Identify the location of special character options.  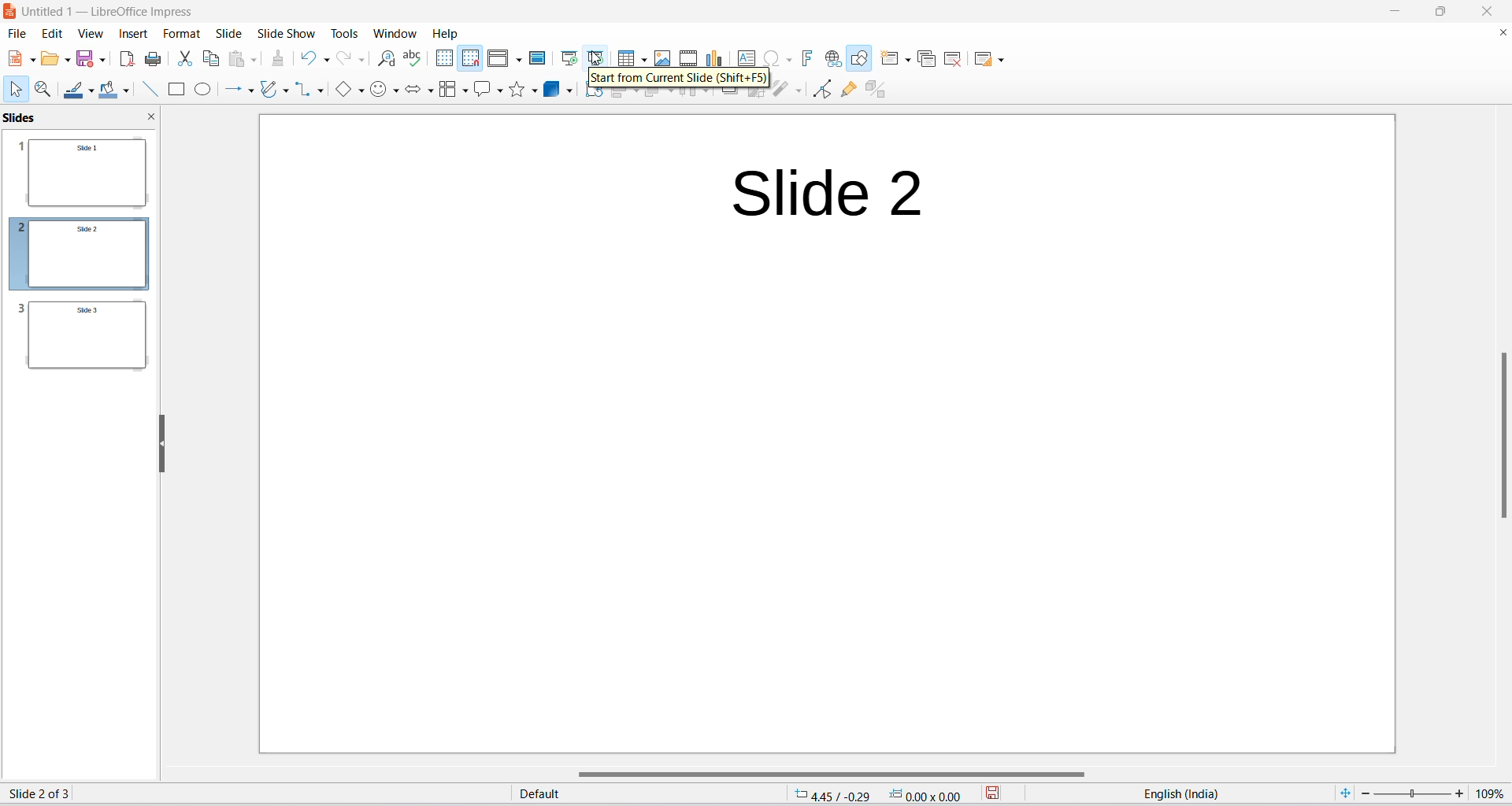
(792, 60).